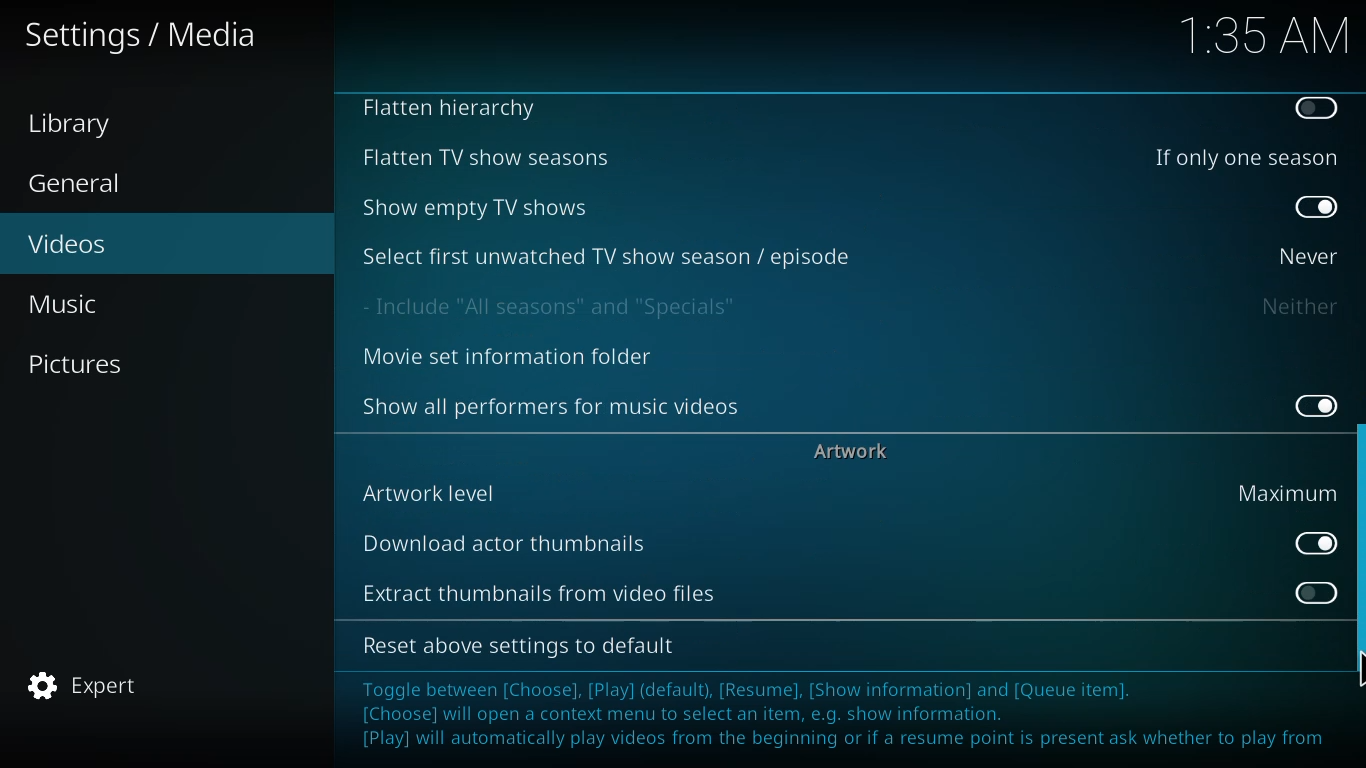 This screenshot has height=768, width=1366. Describe the element at coordinates (143, 37) in the screenshot. I see `media` at that location.